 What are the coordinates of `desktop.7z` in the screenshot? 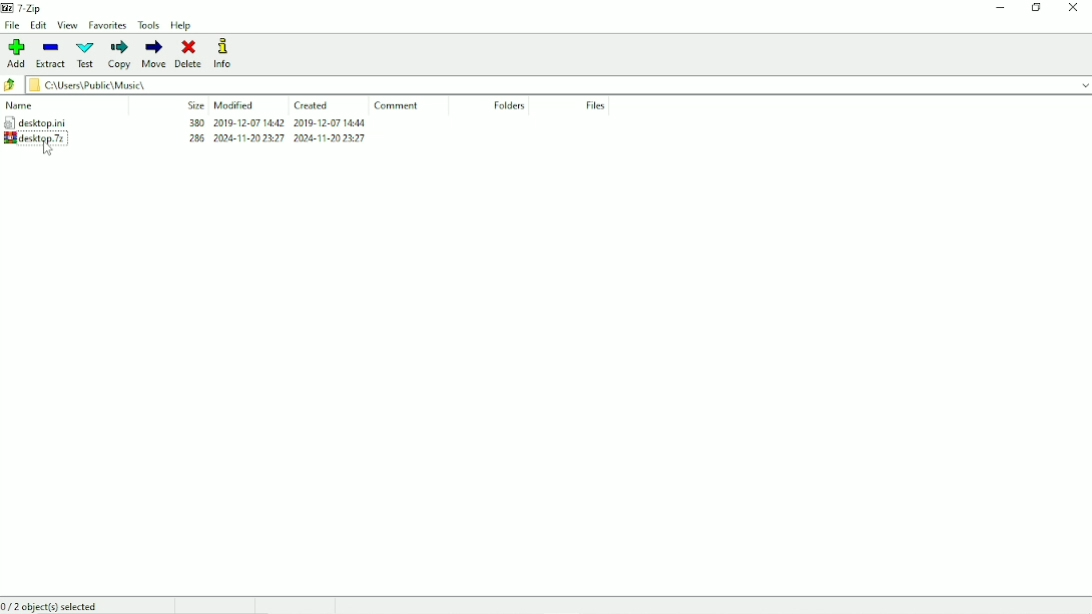 It's located at (48, 138).